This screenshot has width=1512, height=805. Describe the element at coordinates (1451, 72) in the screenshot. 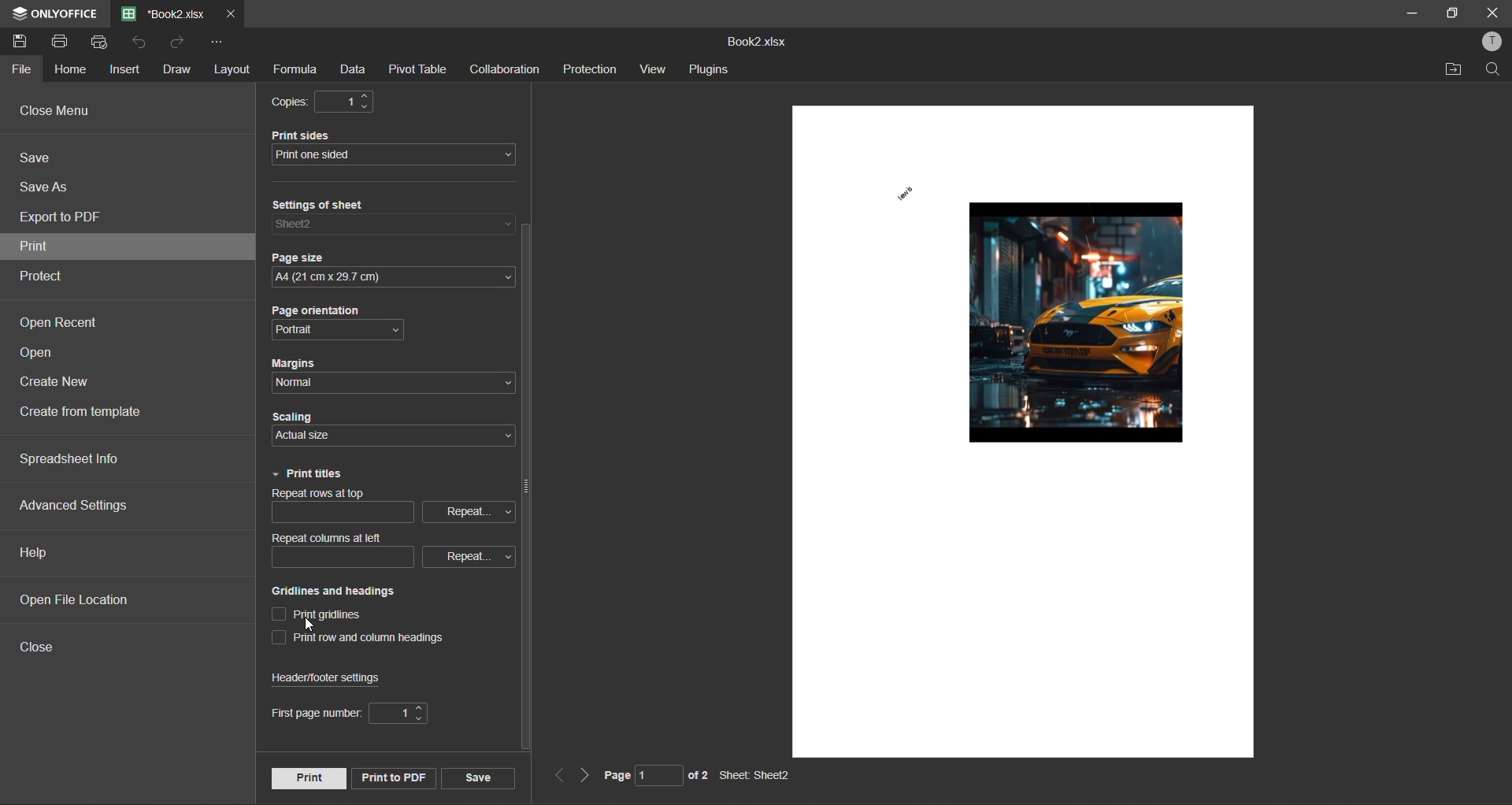

I see `open location` at that location.